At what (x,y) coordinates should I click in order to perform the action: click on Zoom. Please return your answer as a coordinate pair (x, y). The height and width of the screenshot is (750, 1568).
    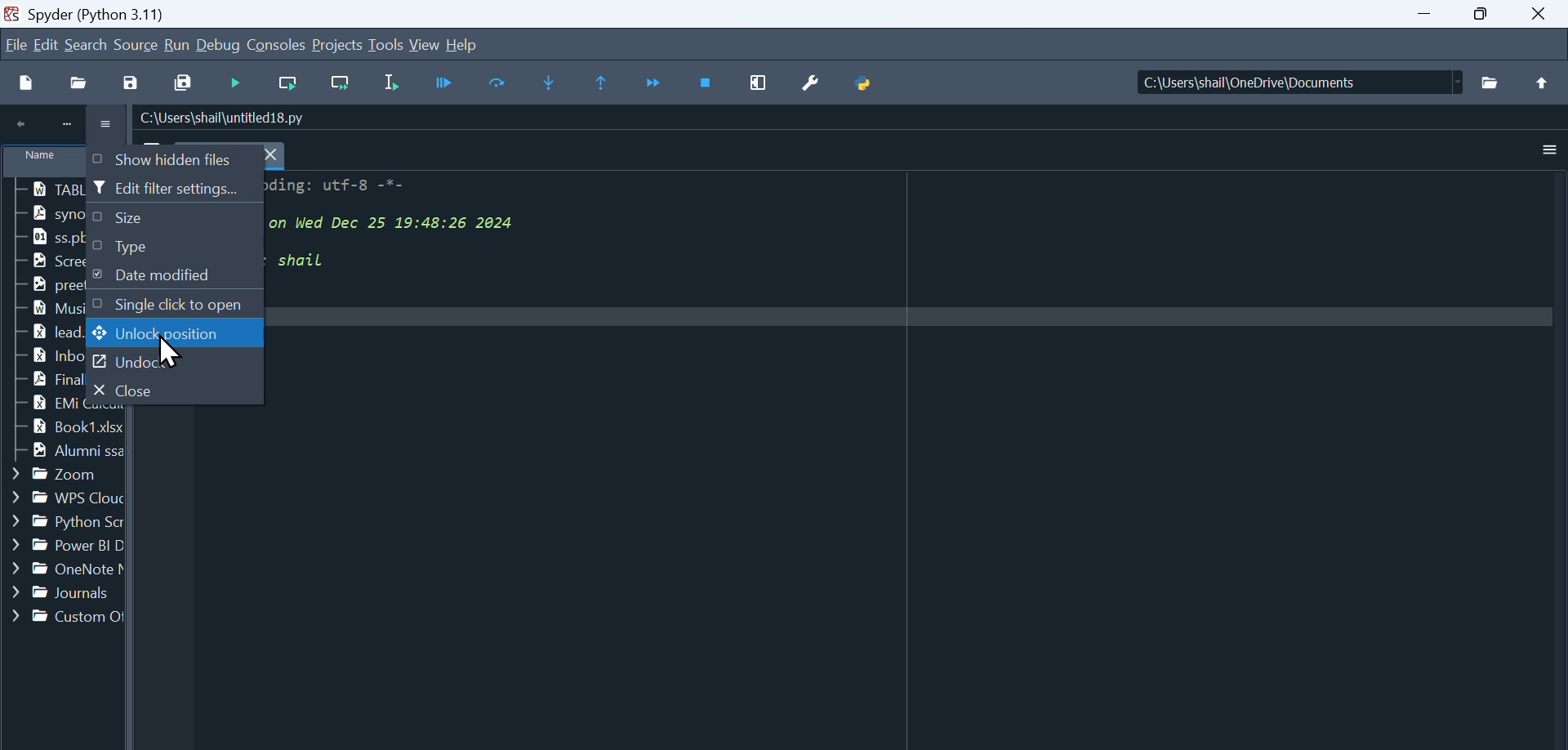
    Looking at the image, I should click on (52, 475).